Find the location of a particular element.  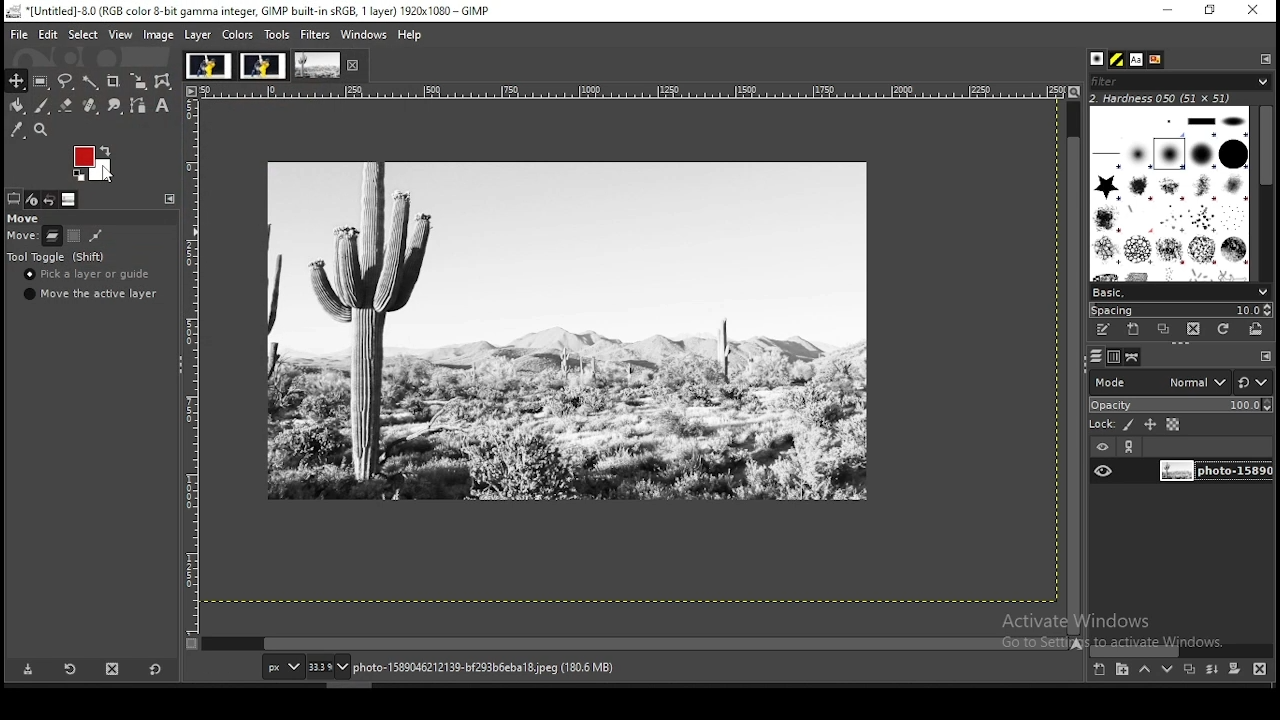

delete brush is located at coordinates (1193, 330).